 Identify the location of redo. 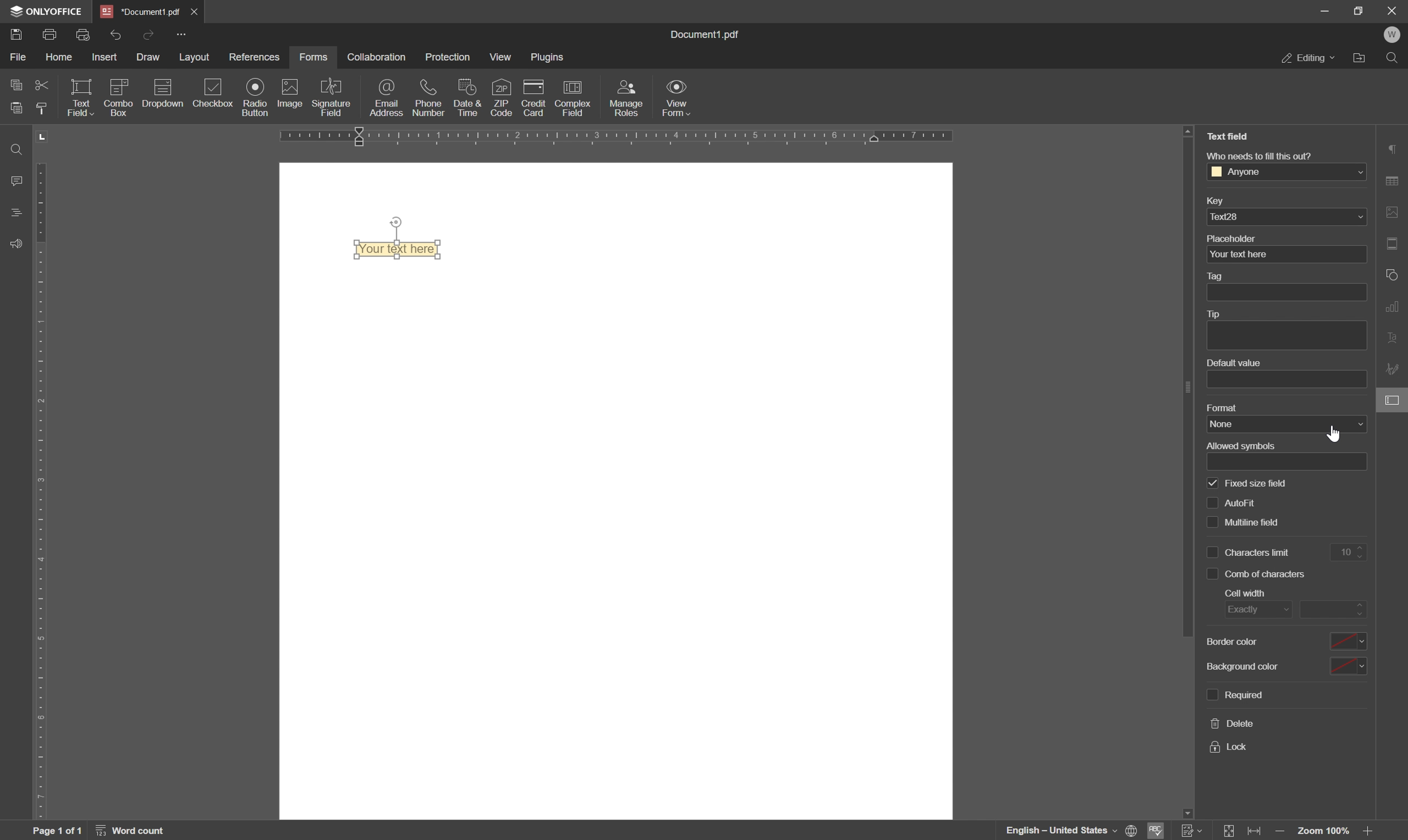
(151, 35).